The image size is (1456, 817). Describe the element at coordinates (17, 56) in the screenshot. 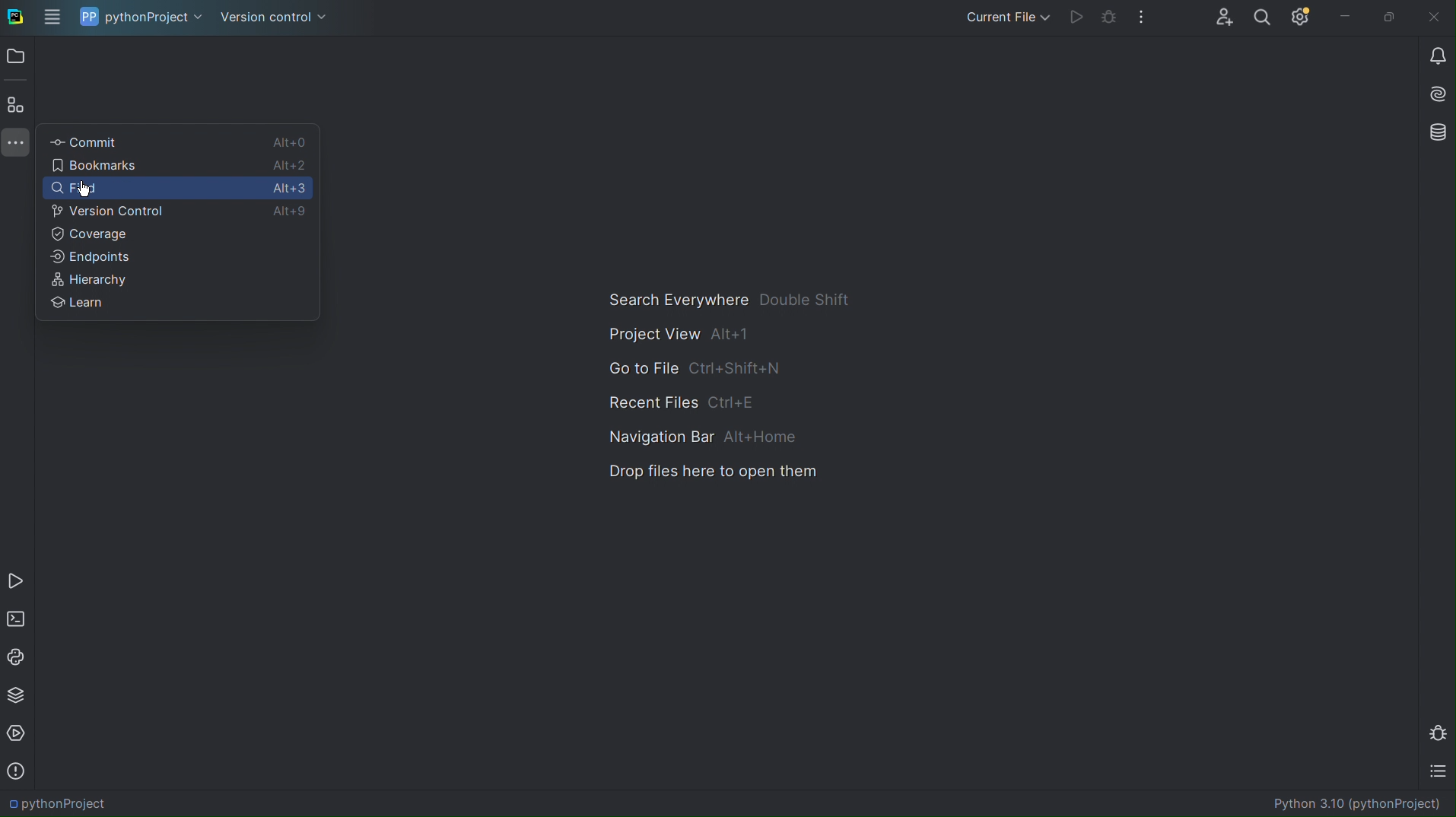

I see `Open` at that location.